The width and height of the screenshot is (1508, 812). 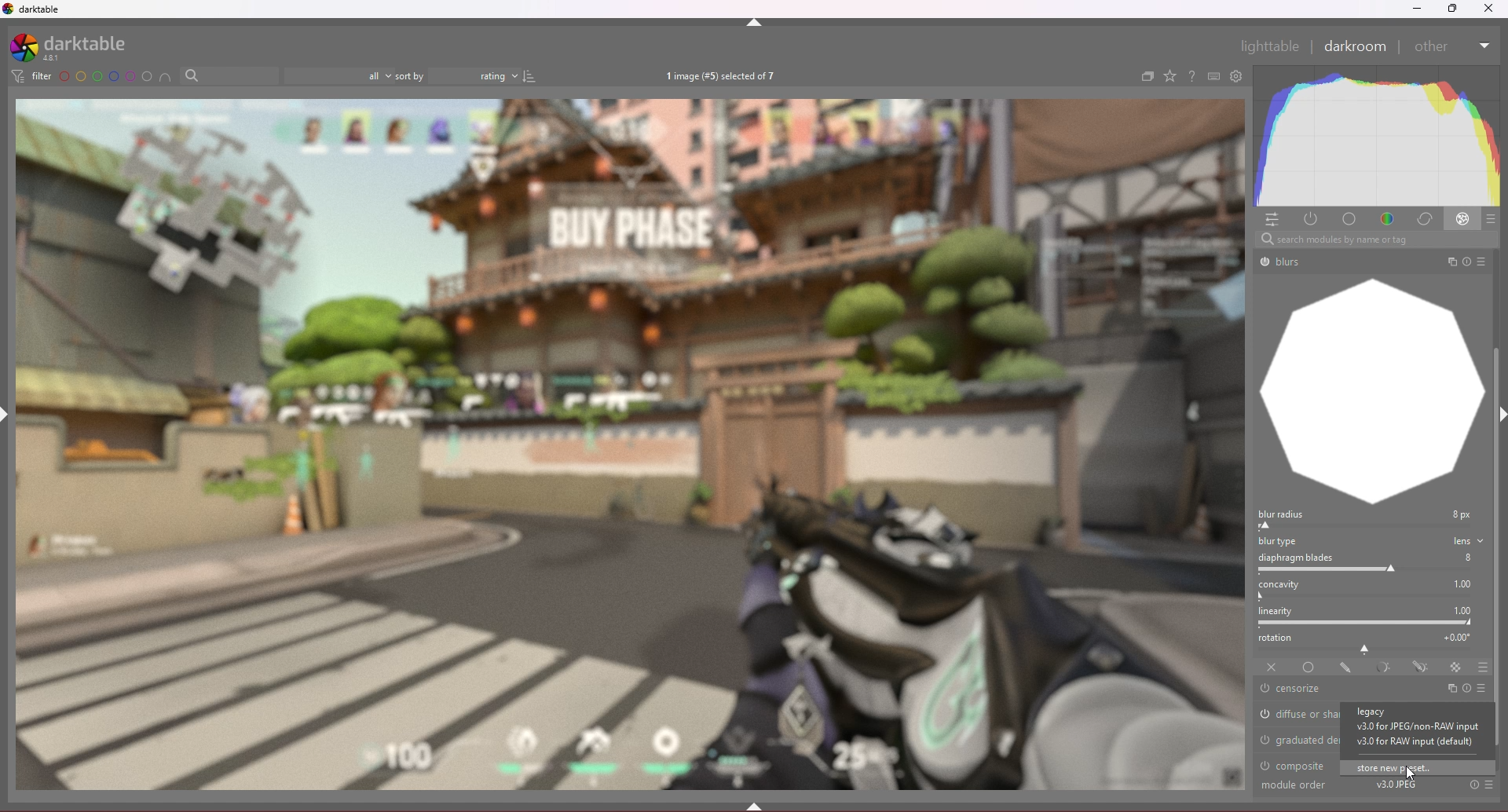 What do you see at coordinates (339, 75) in the screenshot?
I see `filter by images rating` at bounding box center [339, 75].